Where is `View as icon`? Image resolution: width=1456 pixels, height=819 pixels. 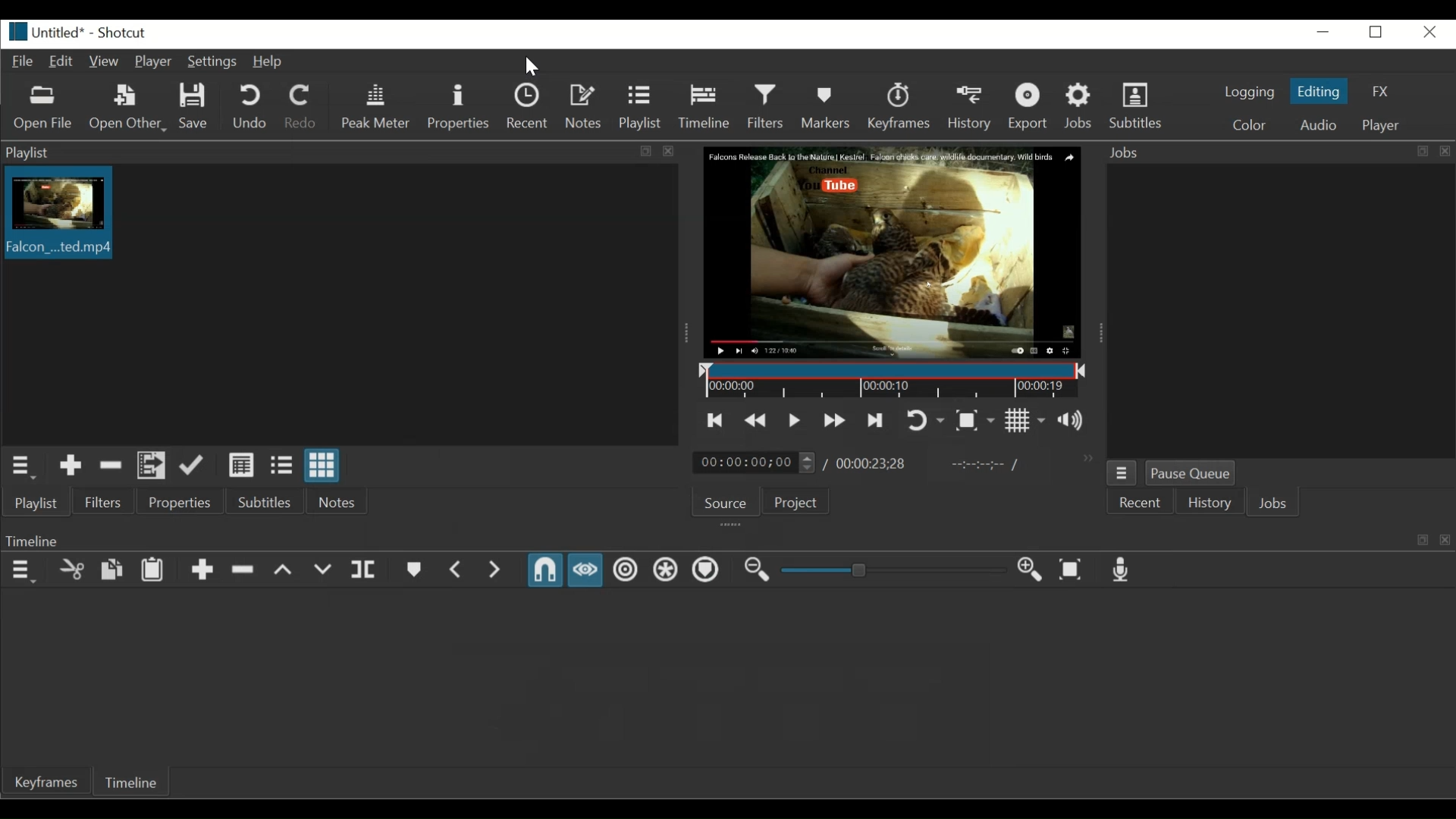 View as icon is located at coordinates (322, 466).